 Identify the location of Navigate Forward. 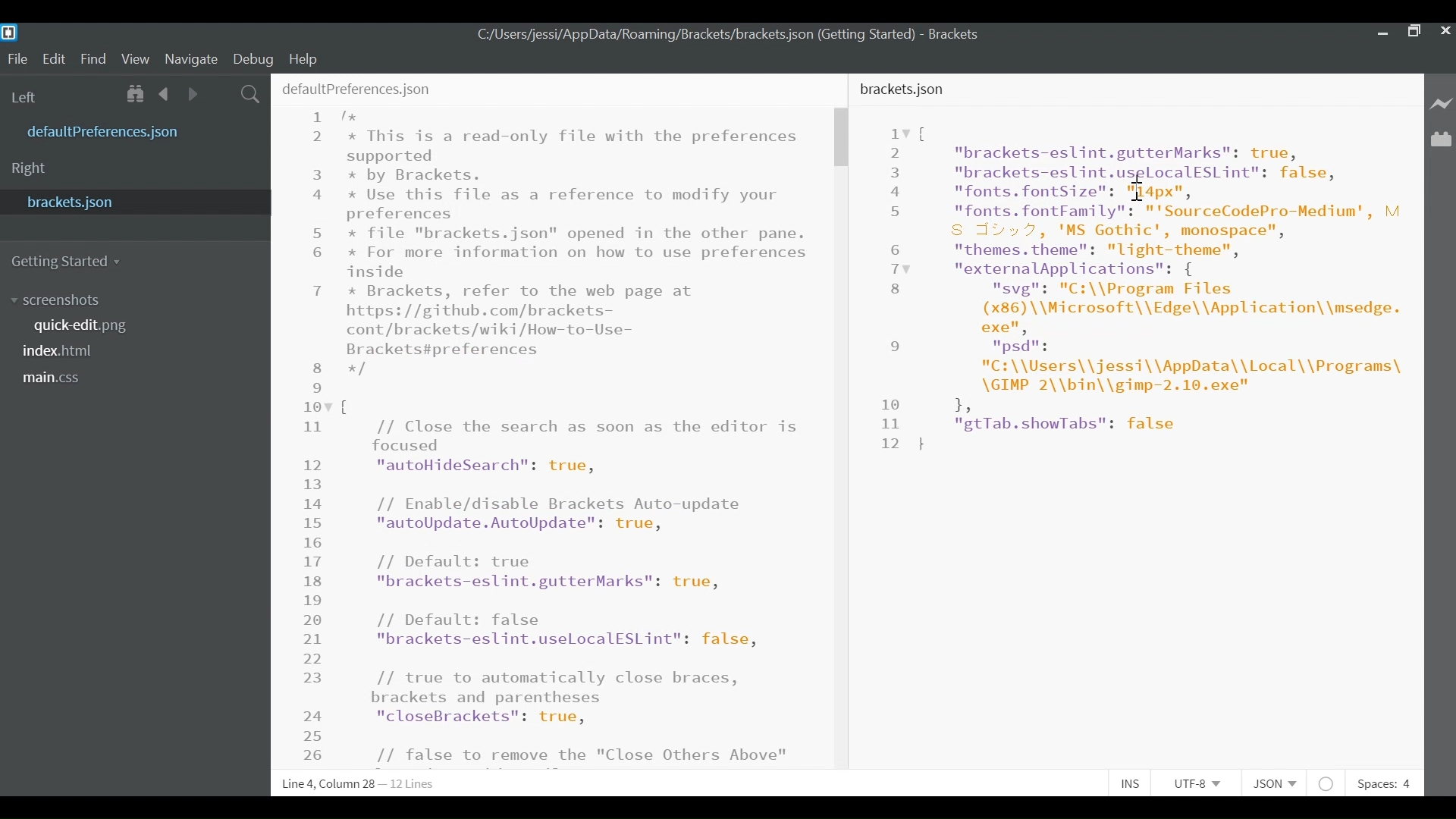
(193, 94).